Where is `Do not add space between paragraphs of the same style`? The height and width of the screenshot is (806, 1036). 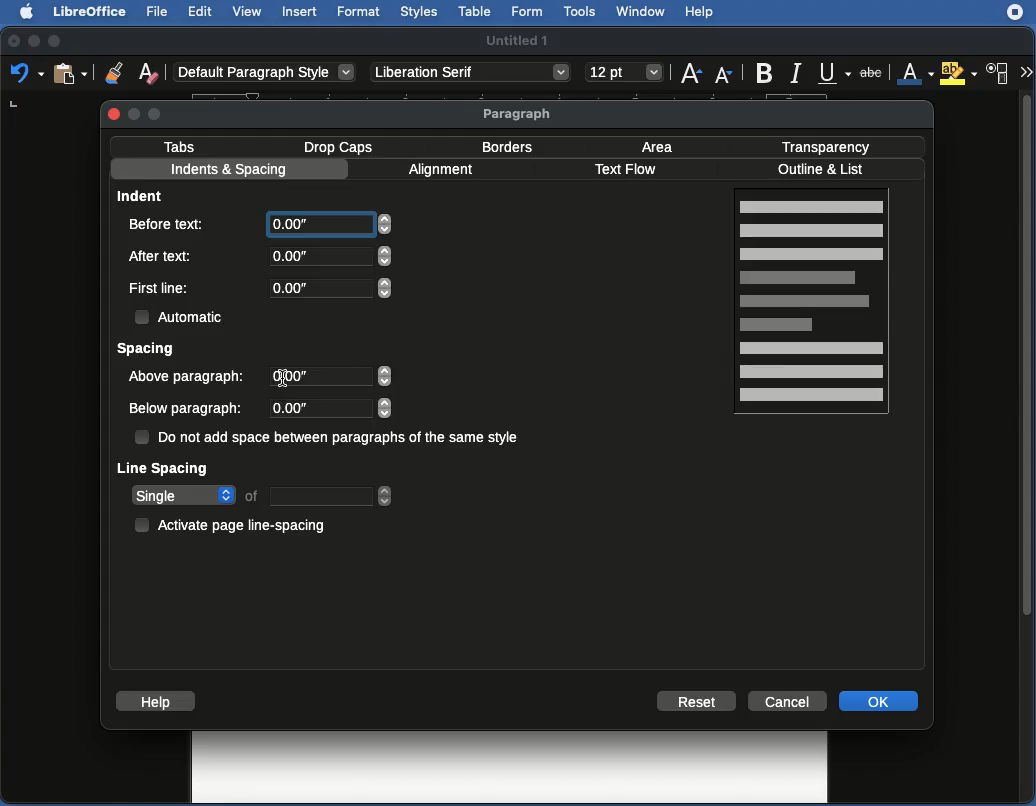
Do not add space between paragraphs of the same style is located at coordinates (330, 439).